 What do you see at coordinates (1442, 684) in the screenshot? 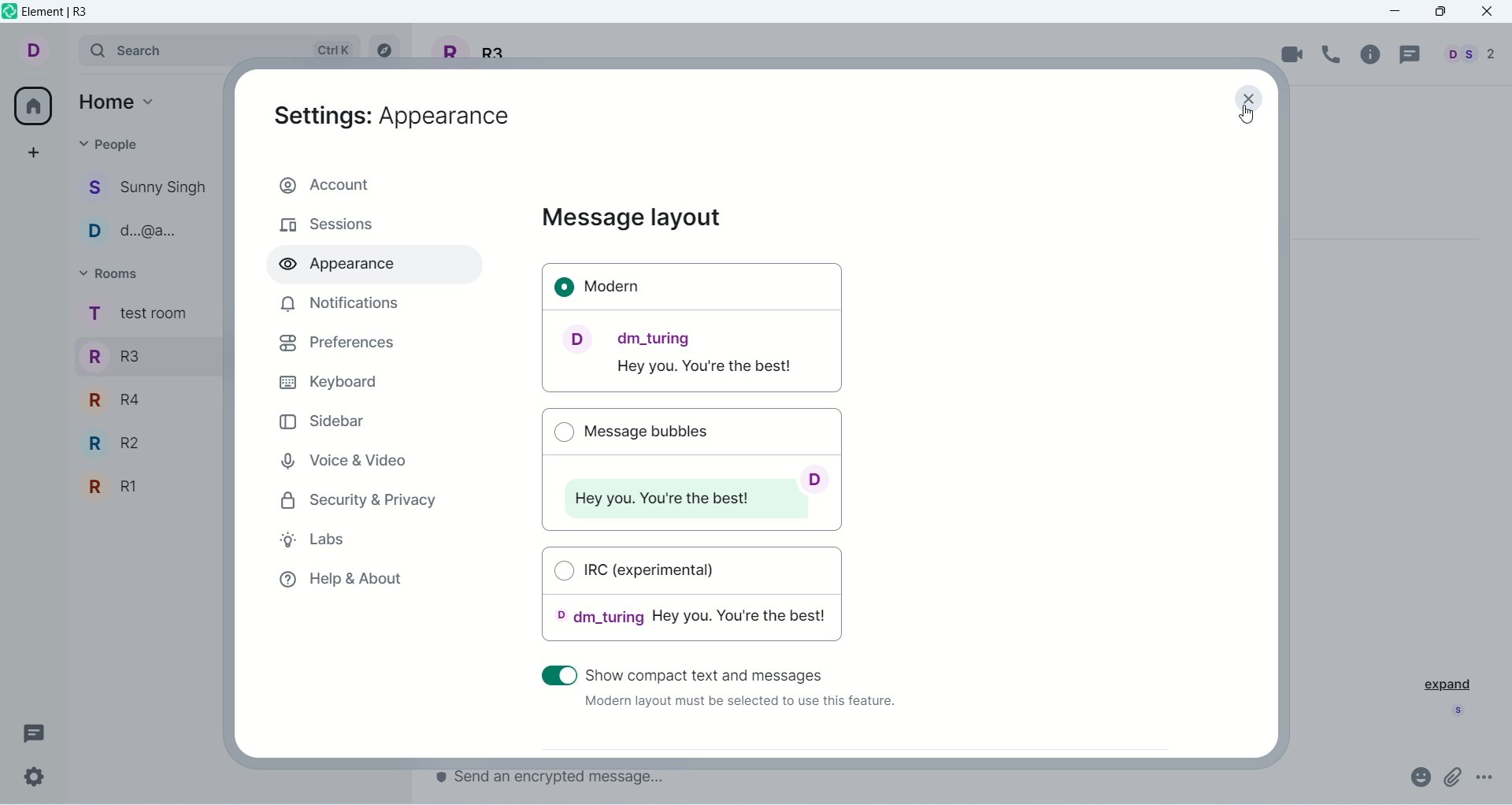
I see `expand` at bounding box center [1442, 684].